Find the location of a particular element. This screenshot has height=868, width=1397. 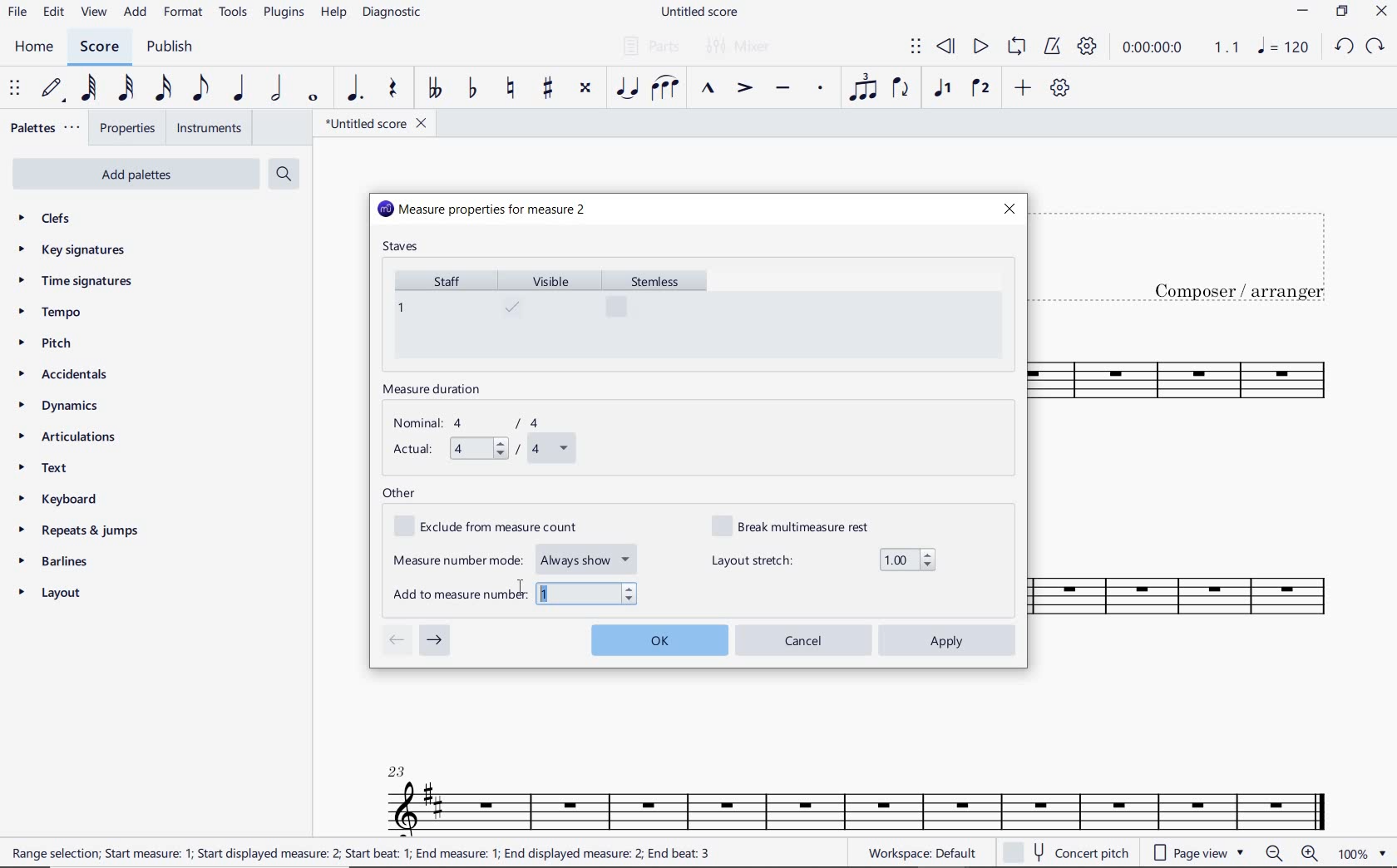

FLIP DIRECTION is located at coordinates (901, 90).